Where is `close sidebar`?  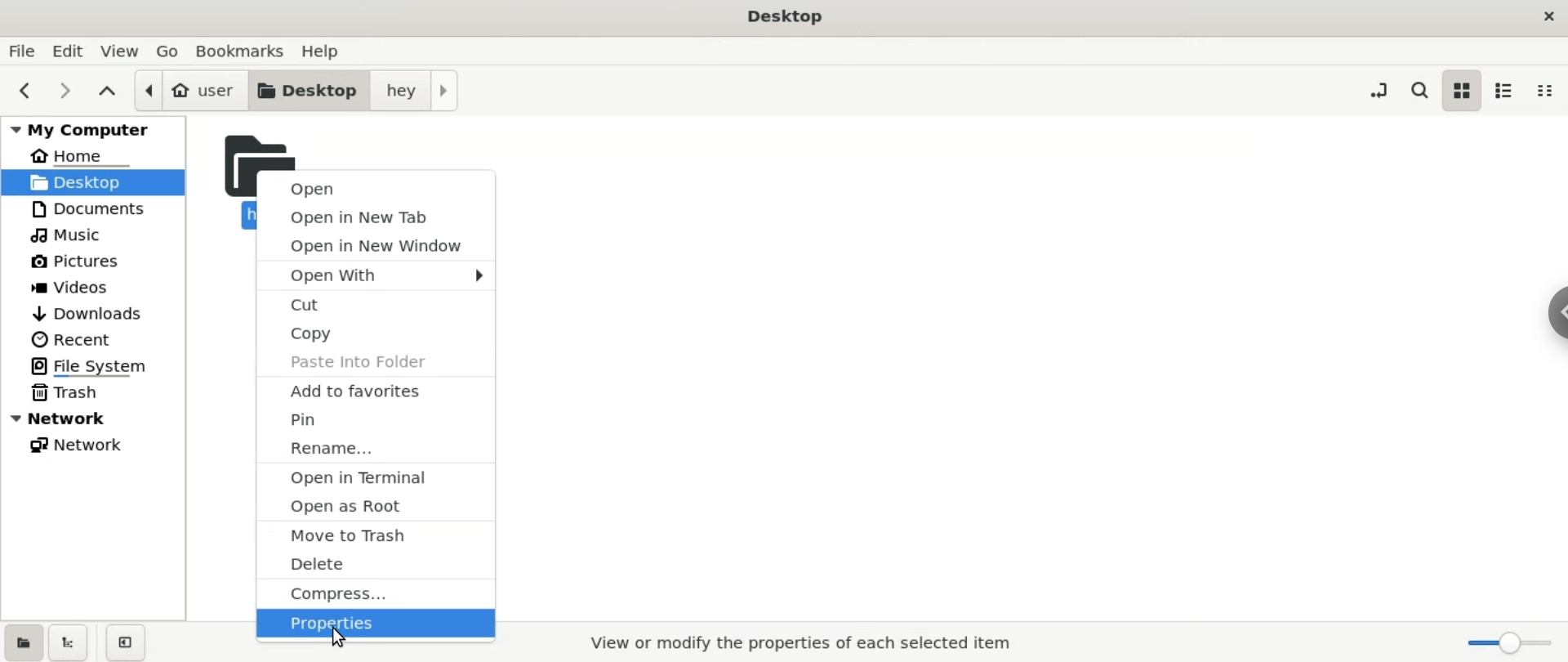 close sidebar is located at coordinates (126, 643).